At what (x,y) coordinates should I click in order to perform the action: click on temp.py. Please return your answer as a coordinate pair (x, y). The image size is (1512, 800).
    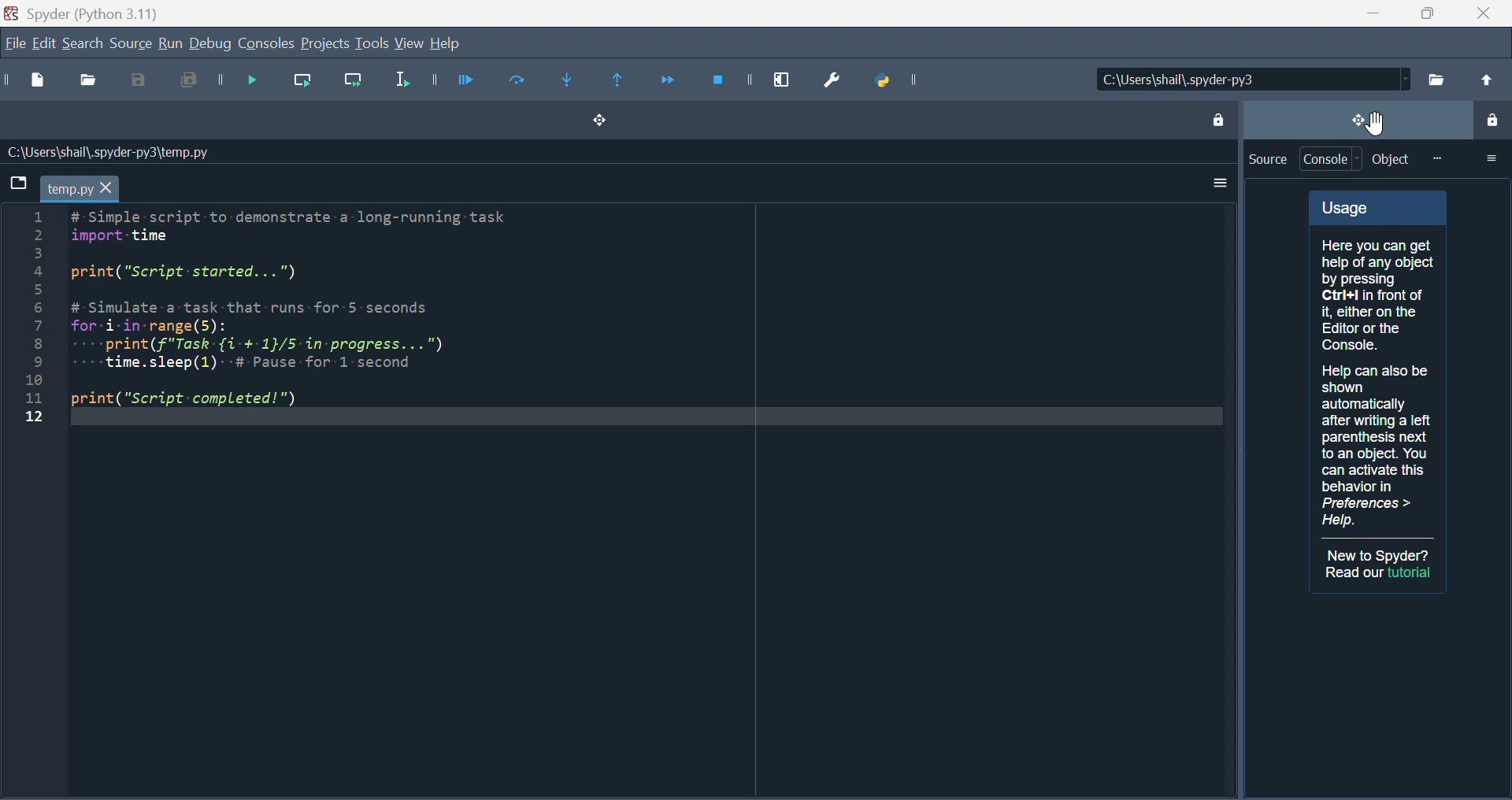
    Looking at the image, I should click on (80, 188).